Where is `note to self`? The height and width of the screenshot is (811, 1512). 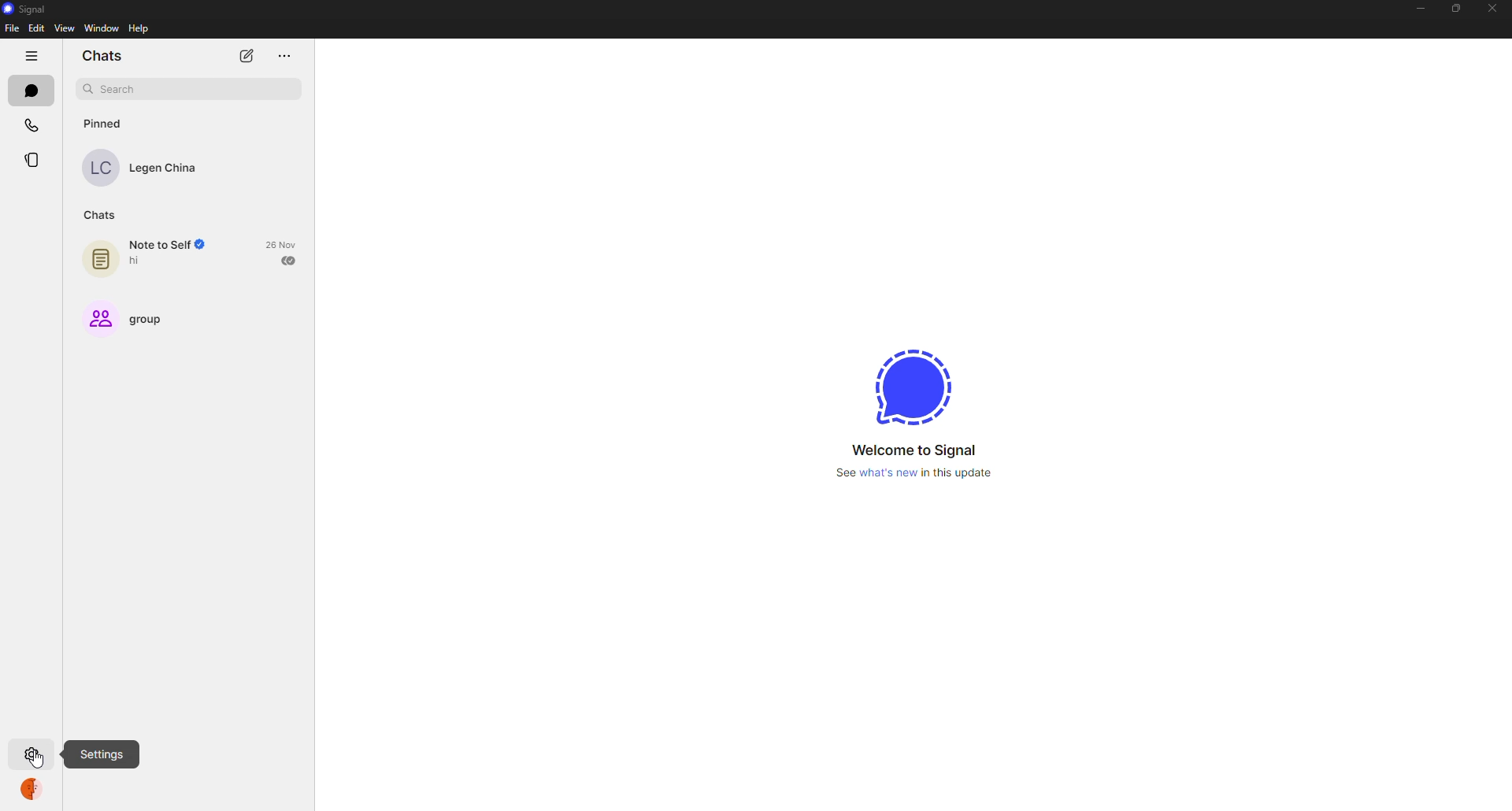
note to self is located at coordinates (157, 259).